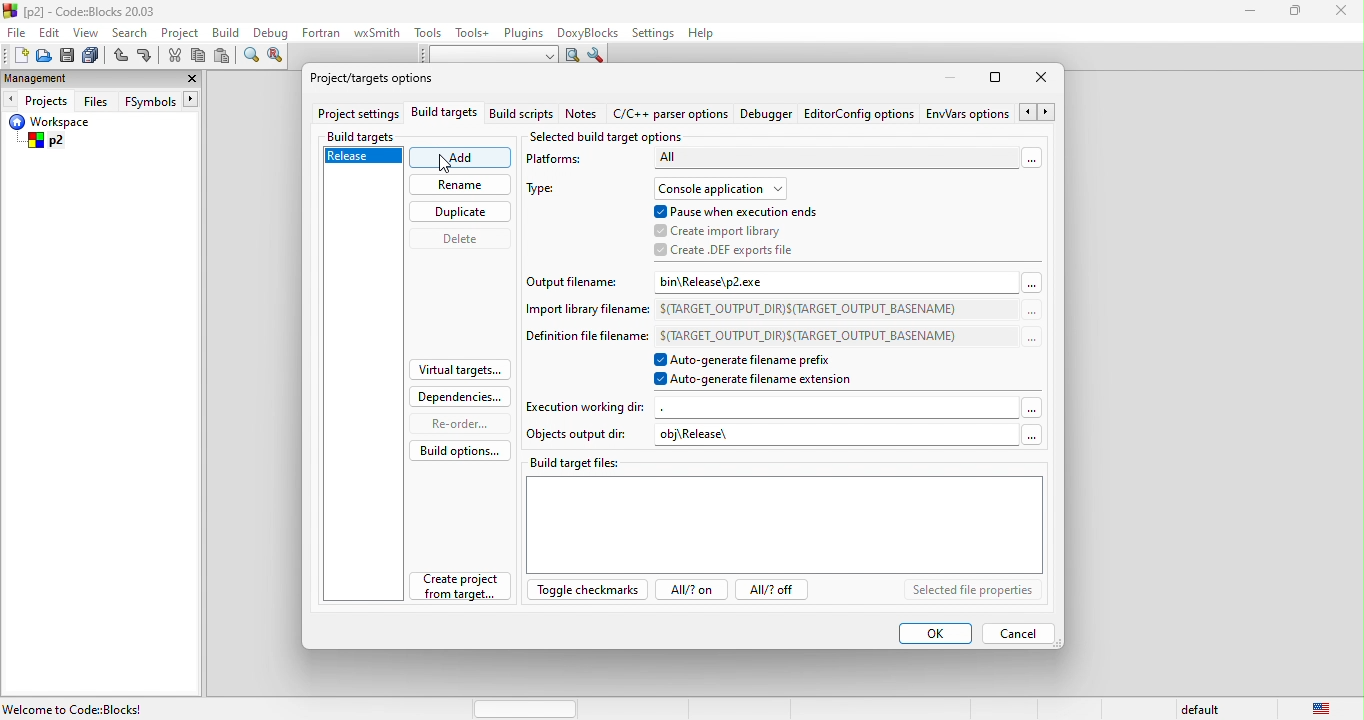 The width and height of the screenshot is (1364, 720). What do you see at coordinates (92, 56) in the screenshot?
I see `save everything` at bounding box center [92, 56].